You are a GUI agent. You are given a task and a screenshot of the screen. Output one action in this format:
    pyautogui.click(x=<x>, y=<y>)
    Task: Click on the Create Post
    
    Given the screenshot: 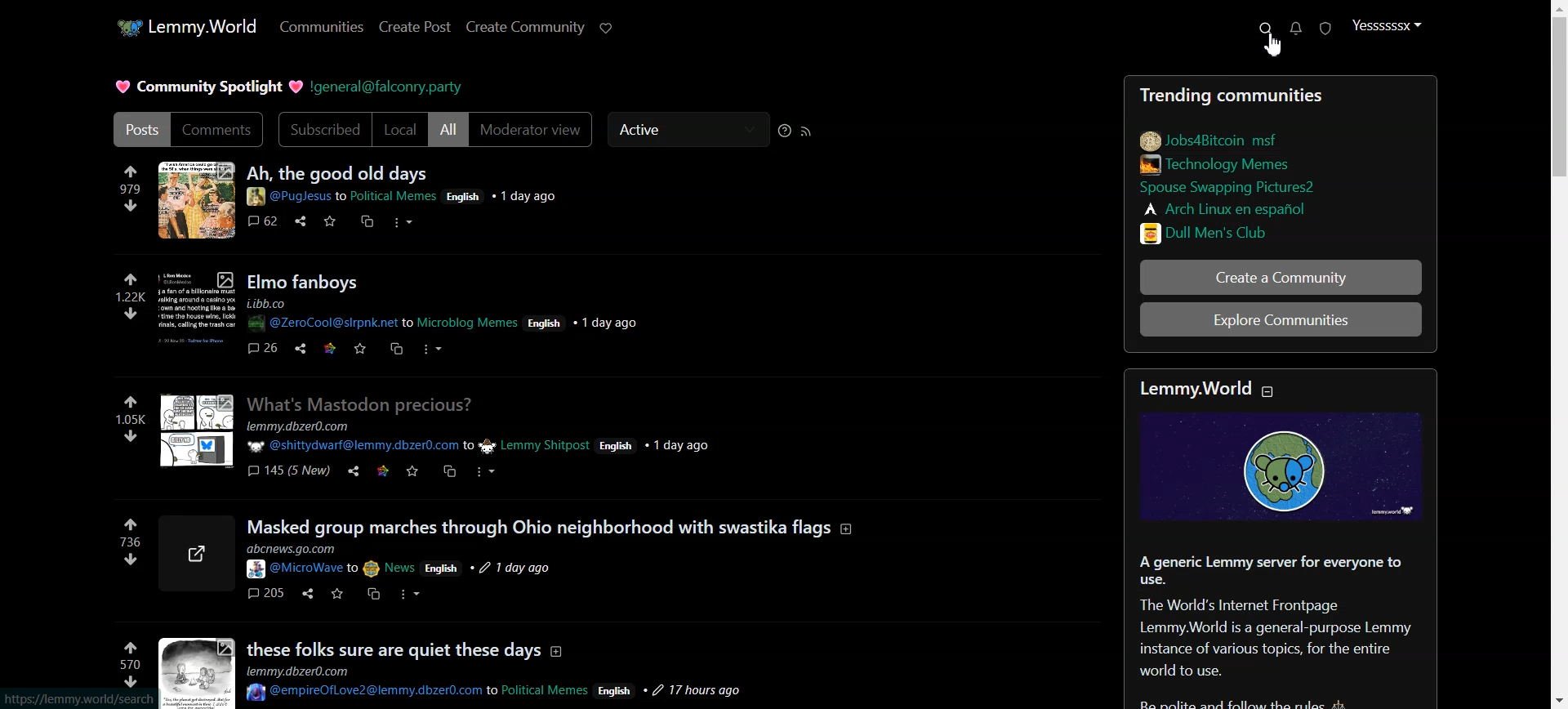 What is the action you would take?
    pyautogui.click(x=416, y=26)
    